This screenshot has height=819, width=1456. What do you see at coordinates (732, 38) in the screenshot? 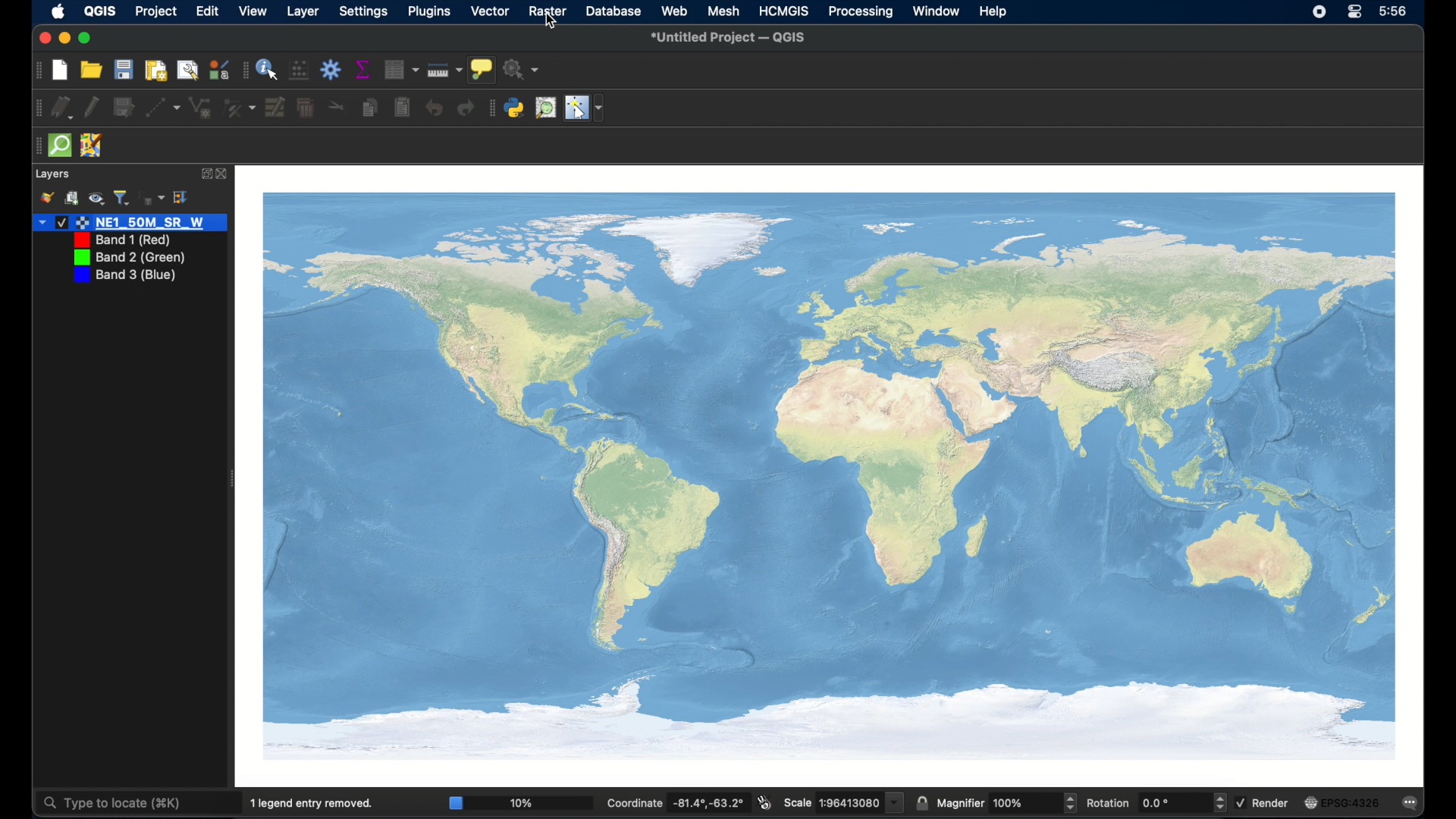
I see `untitled project - QGIS` at bounding box center [732, 38].